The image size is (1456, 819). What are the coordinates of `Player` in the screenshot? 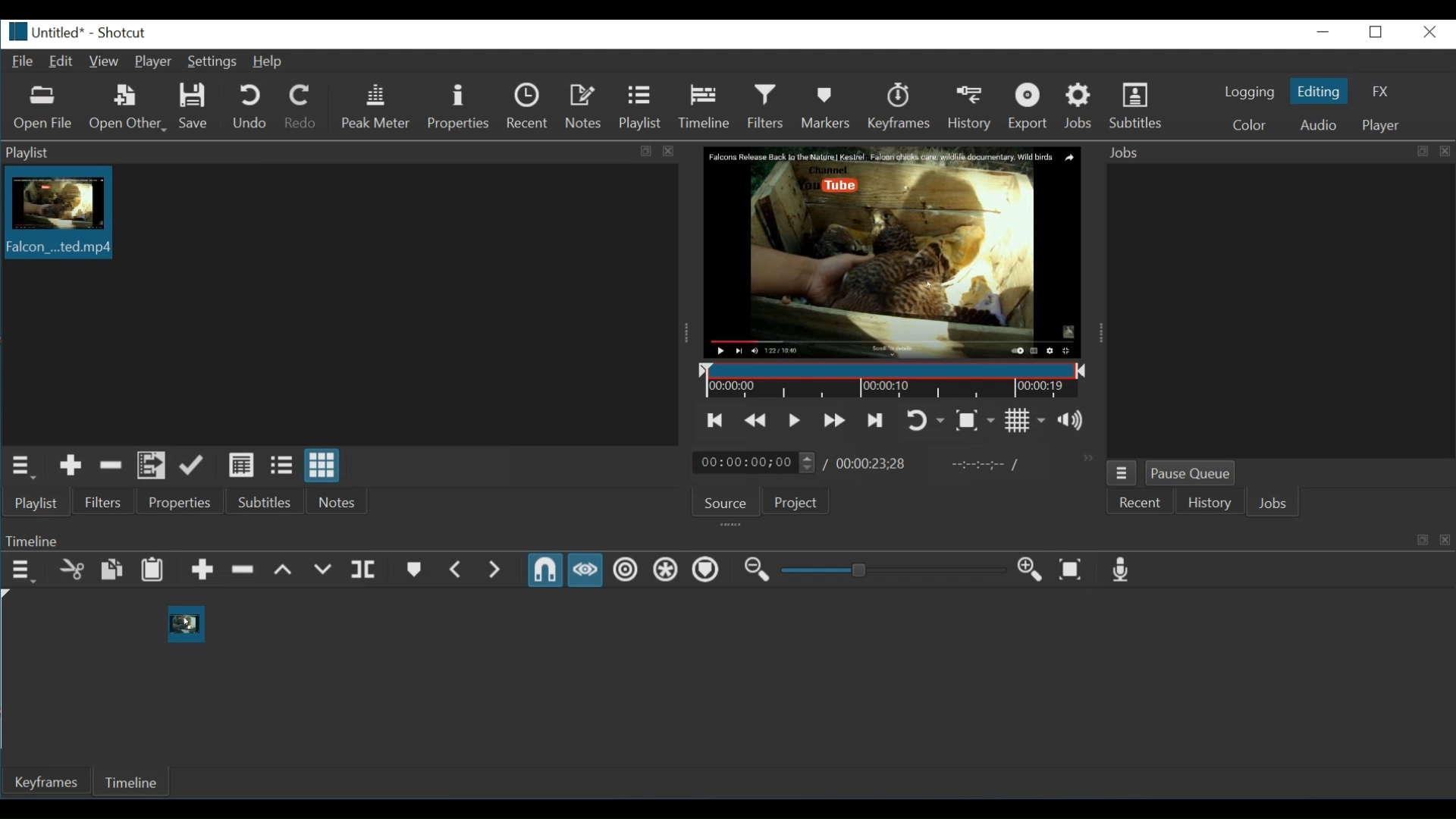 It's located at (1379, 126).